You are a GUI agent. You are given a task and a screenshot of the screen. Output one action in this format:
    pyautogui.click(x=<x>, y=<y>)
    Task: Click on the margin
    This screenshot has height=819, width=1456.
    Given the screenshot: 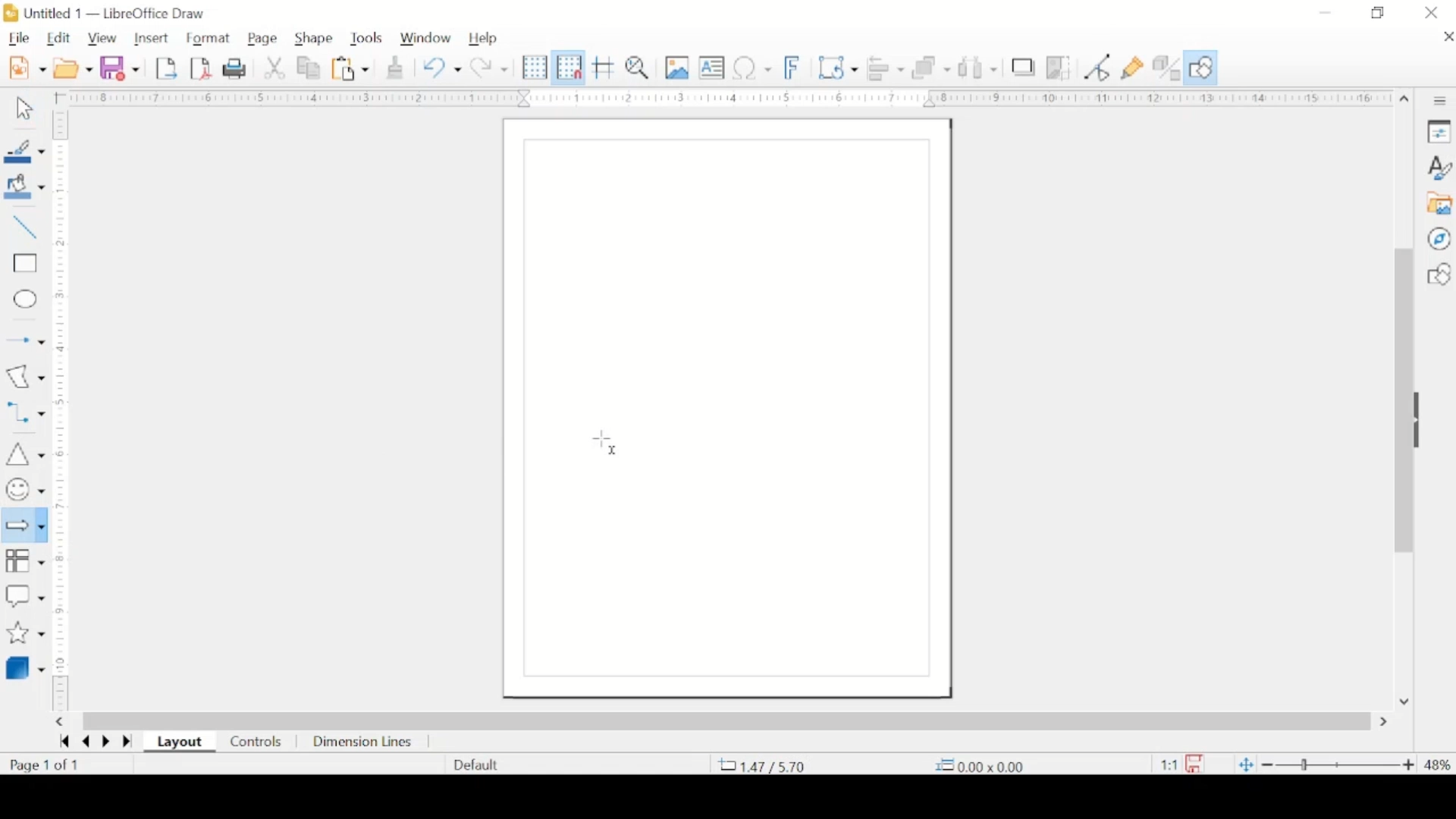 What is the action you would take?
    pyautogui.click(x=61, y=638)
    